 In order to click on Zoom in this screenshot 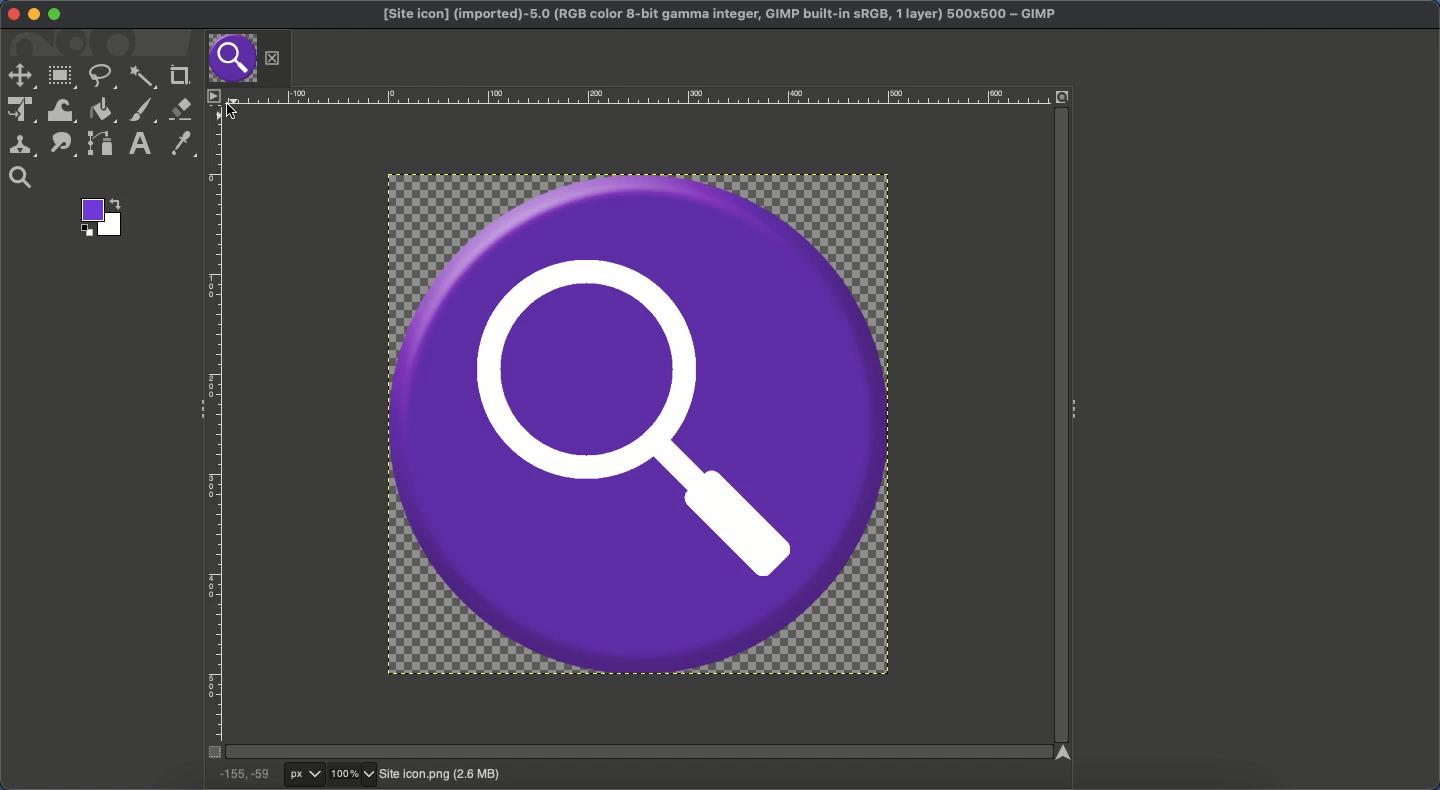, I will do `click(354, 775)`.